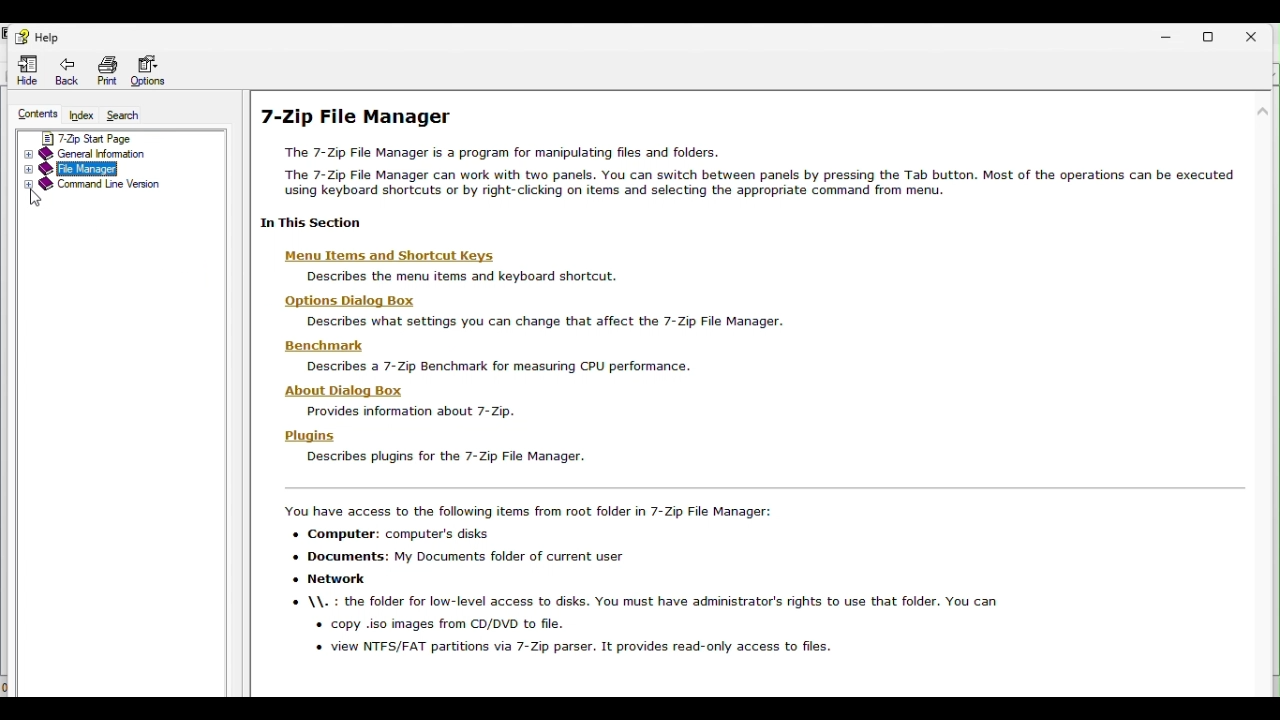 This screenshot has height=720, width=1280. What do you see at coordinates (1156, 34) in the screenshot?
I see `Minimise` at bounding box center [1156, 34].